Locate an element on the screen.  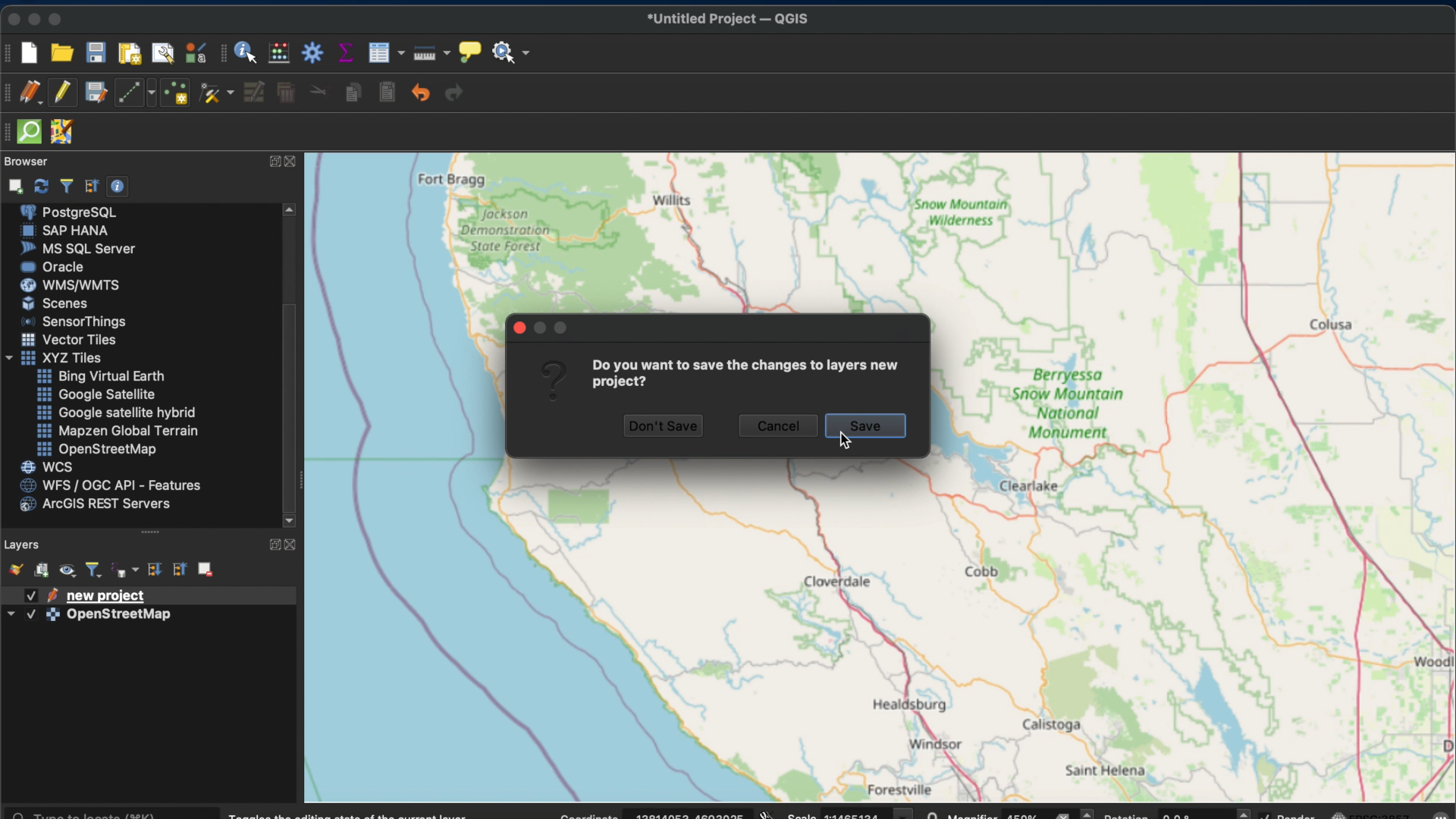
digitize with segment is located at coordinates (134, 93).